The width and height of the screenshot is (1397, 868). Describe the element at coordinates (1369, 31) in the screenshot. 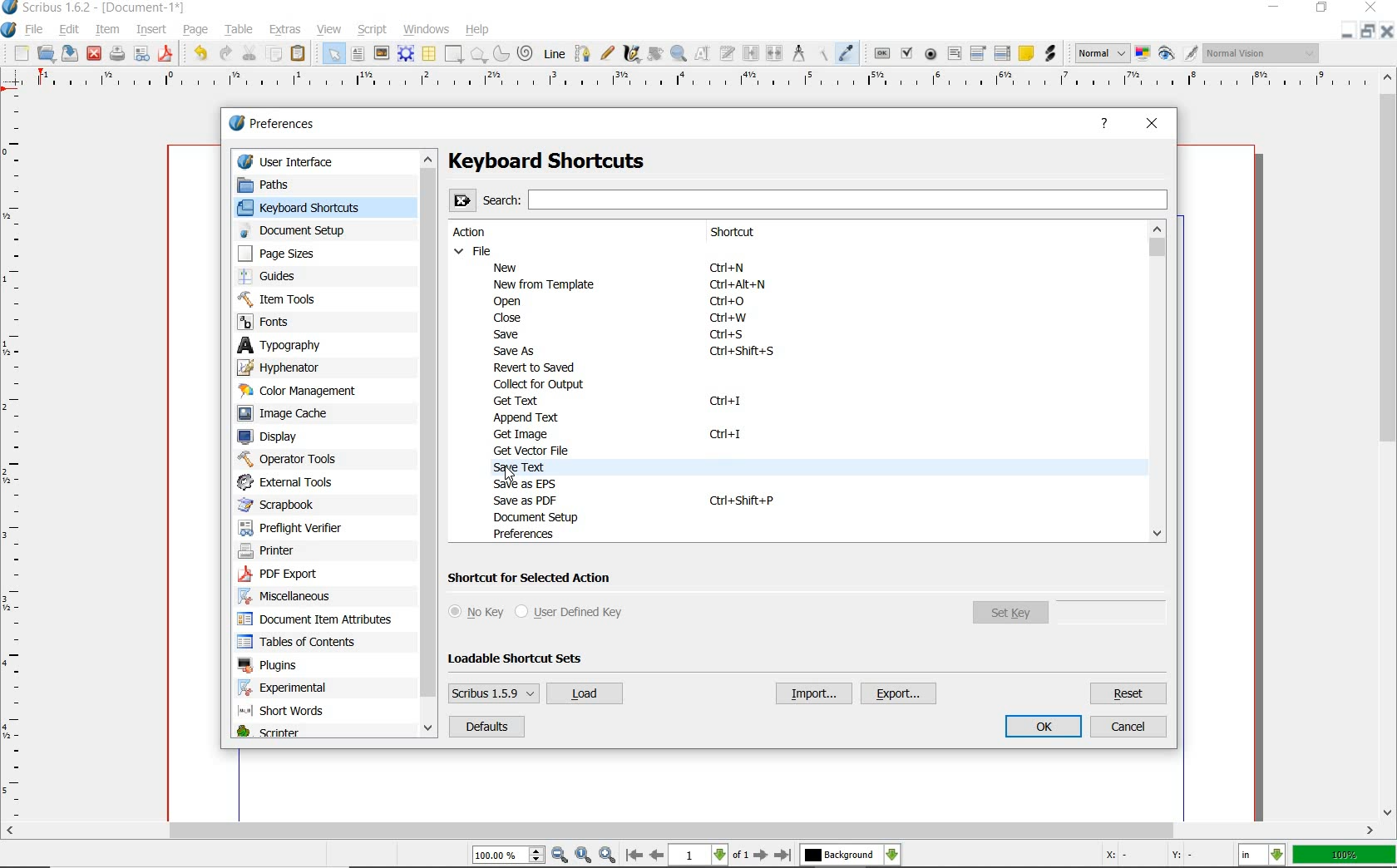

I see `minimize` at that location.